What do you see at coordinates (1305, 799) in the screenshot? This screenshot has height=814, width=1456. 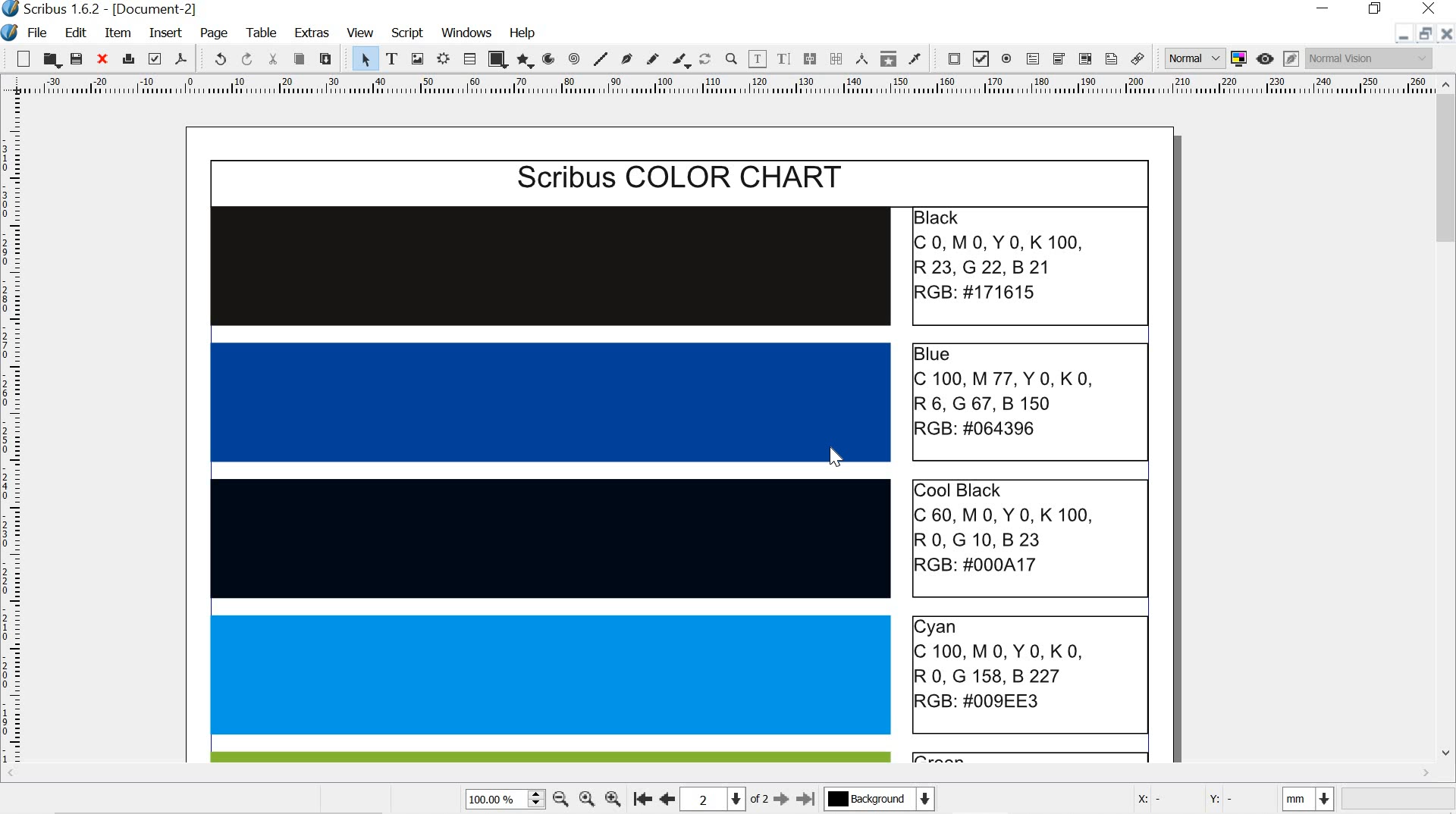 I see `current unit` at bounding box center [1305, 799].